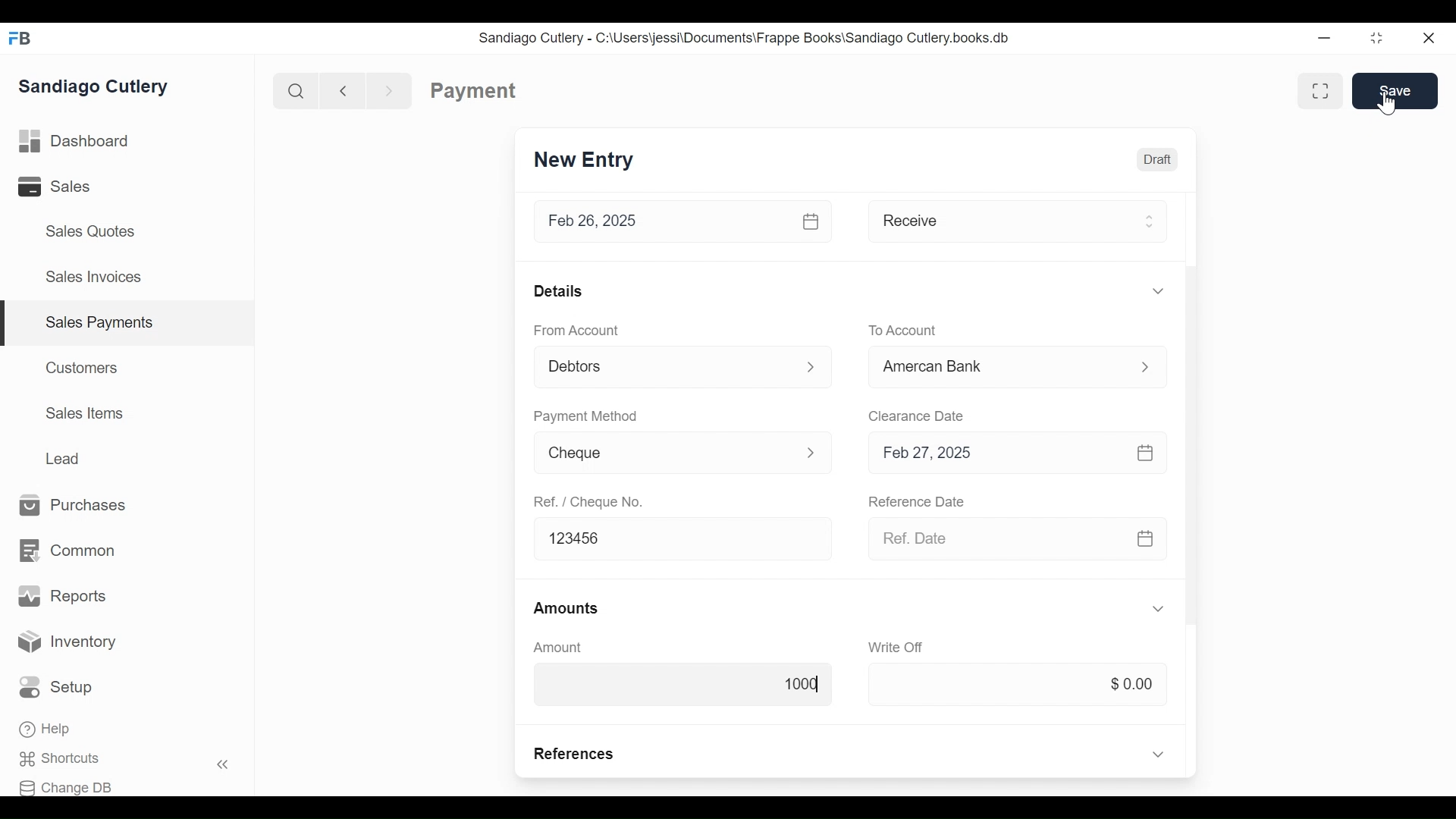 This screenshot has height=819, width=1456. Describe the element at coordinates (89, 231) in the screenshot. I see `Sales Quotes` at that location.